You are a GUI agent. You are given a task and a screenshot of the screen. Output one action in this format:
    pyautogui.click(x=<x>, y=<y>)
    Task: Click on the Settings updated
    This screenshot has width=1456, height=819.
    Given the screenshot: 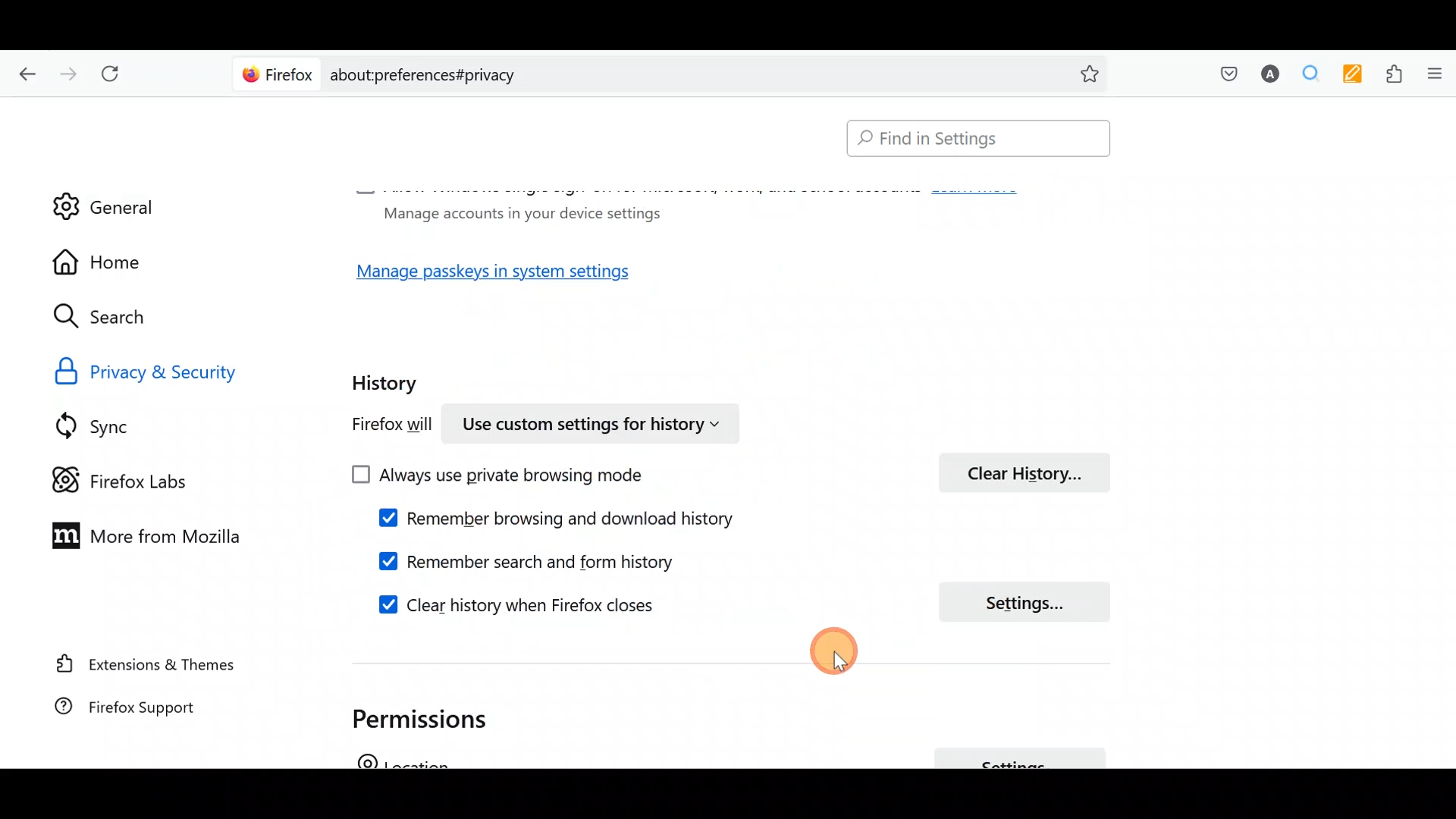 What is the action you would take?
    pyautogui.click(x=763, y=516)
    